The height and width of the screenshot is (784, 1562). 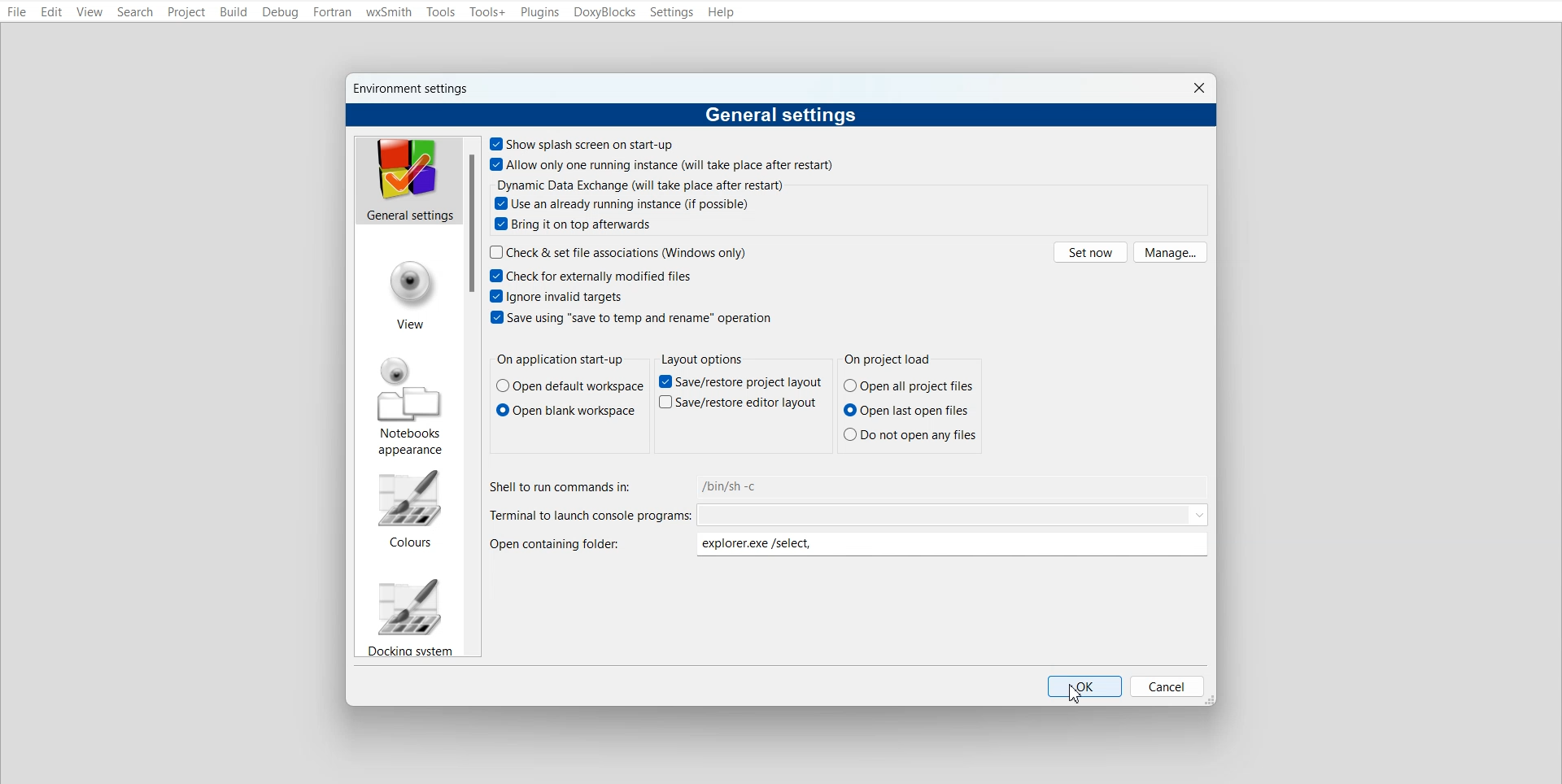 What do you see at coordinates (910, 433) in the screenshot?
I see `Do not open any files` at bounding box center [910, 433].